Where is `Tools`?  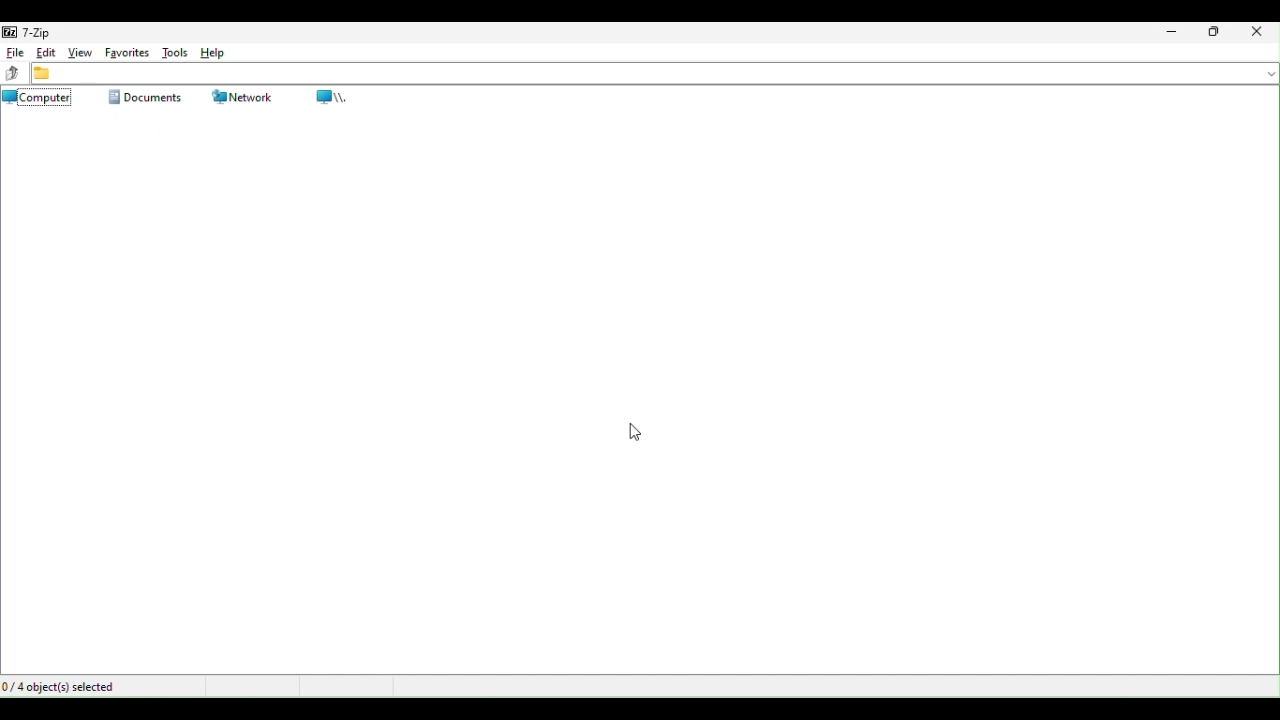
Tools is located at coordinates (175, 53).